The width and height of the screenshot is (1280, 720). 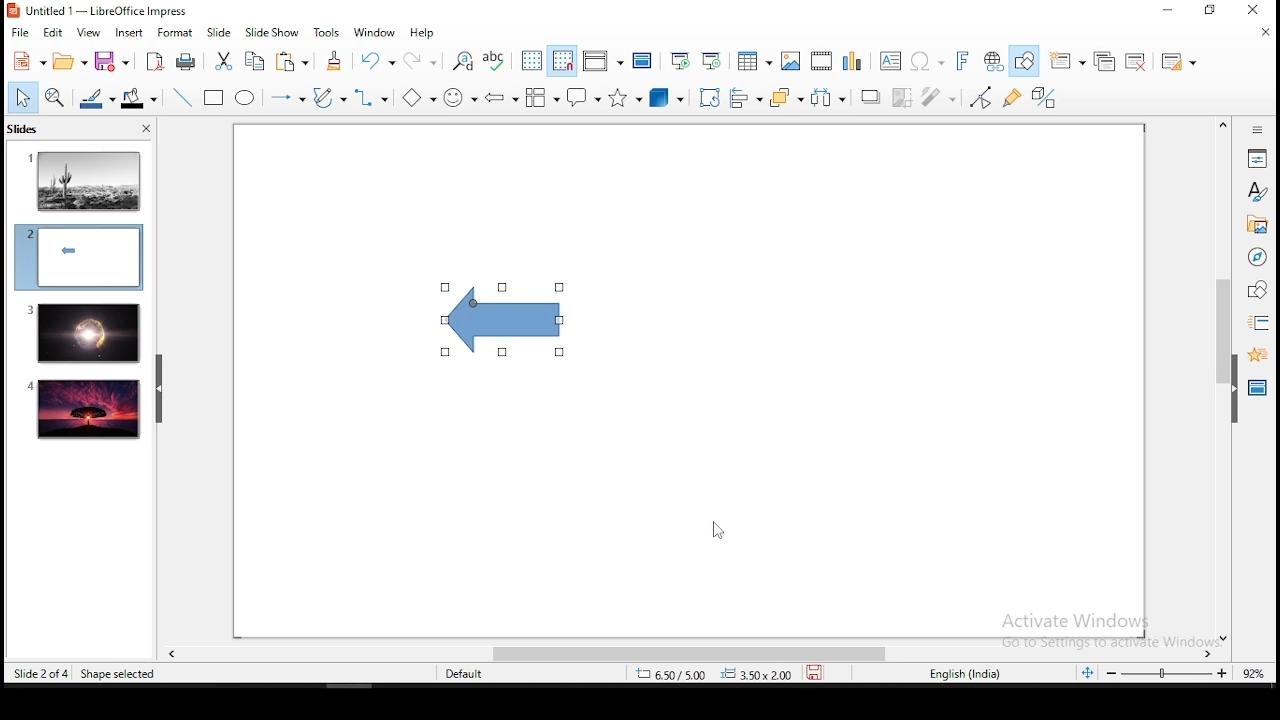 What do you see at coordinates (287, 98) in the screenshot?
I see `lines and arrows` at bounding box center [287, 98].